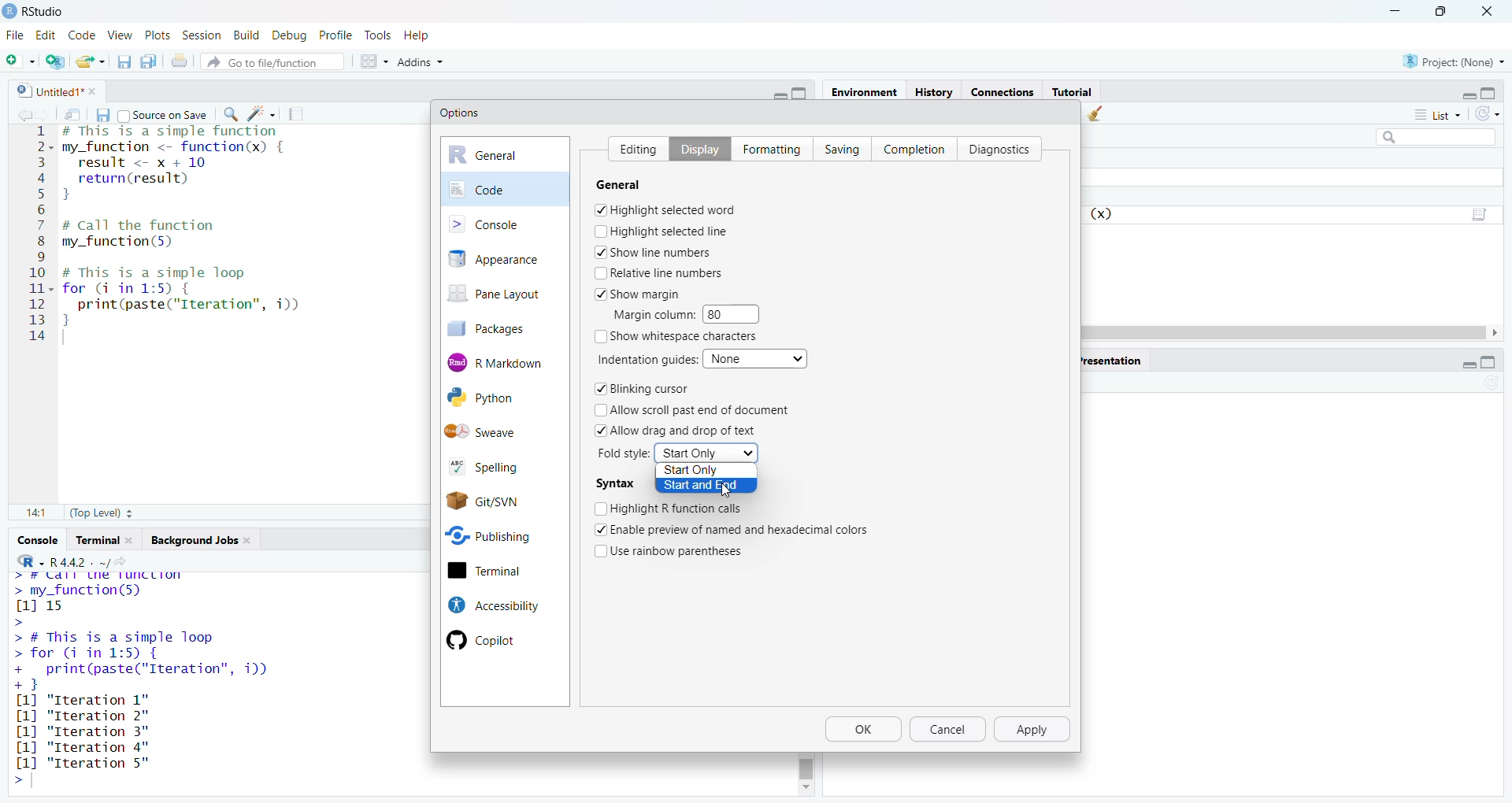 The width and height of the screenshot is (1512, 803). I want to click on margin column, so click(651, 314).